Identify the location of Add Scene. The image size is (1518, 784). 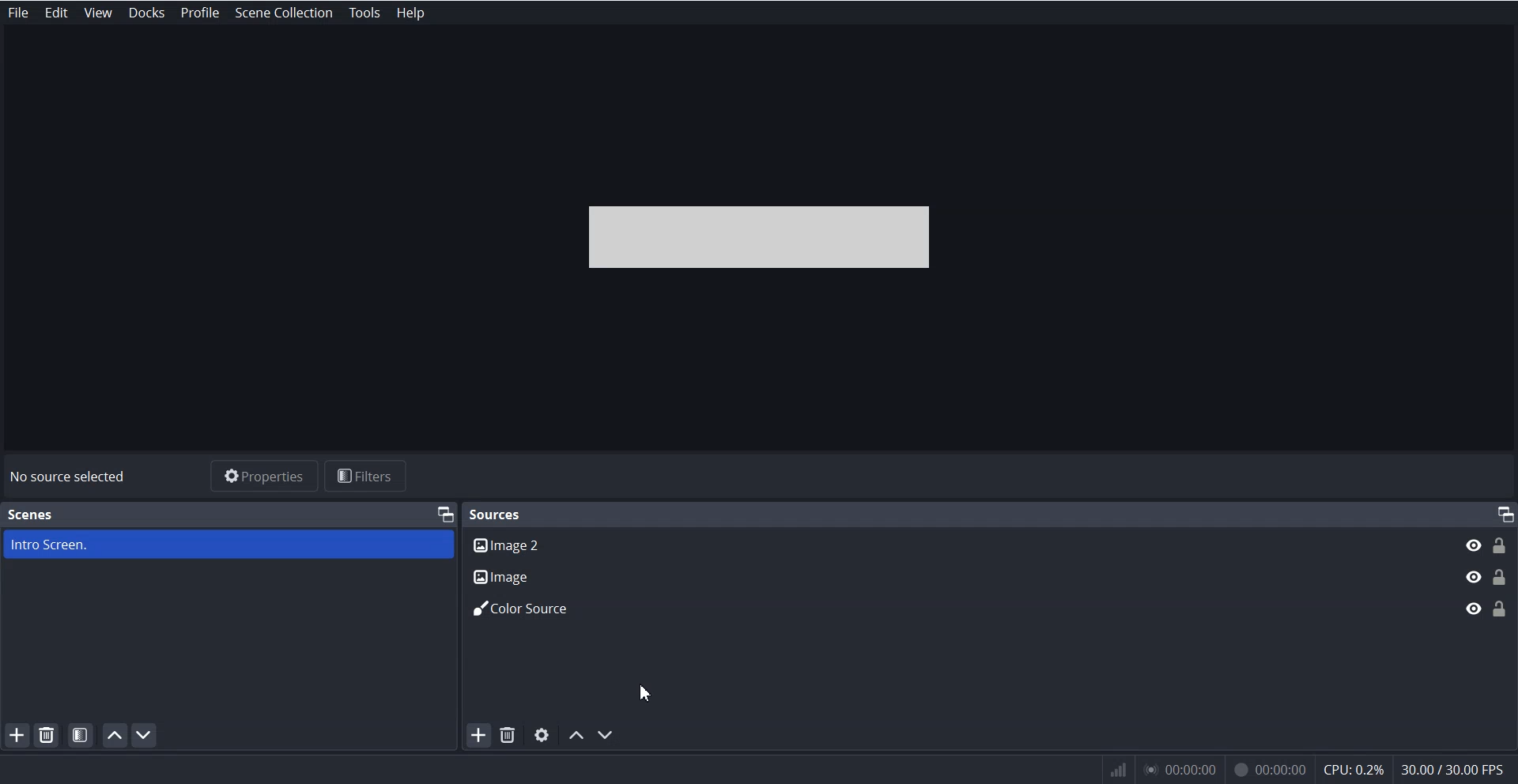
(17, 735).